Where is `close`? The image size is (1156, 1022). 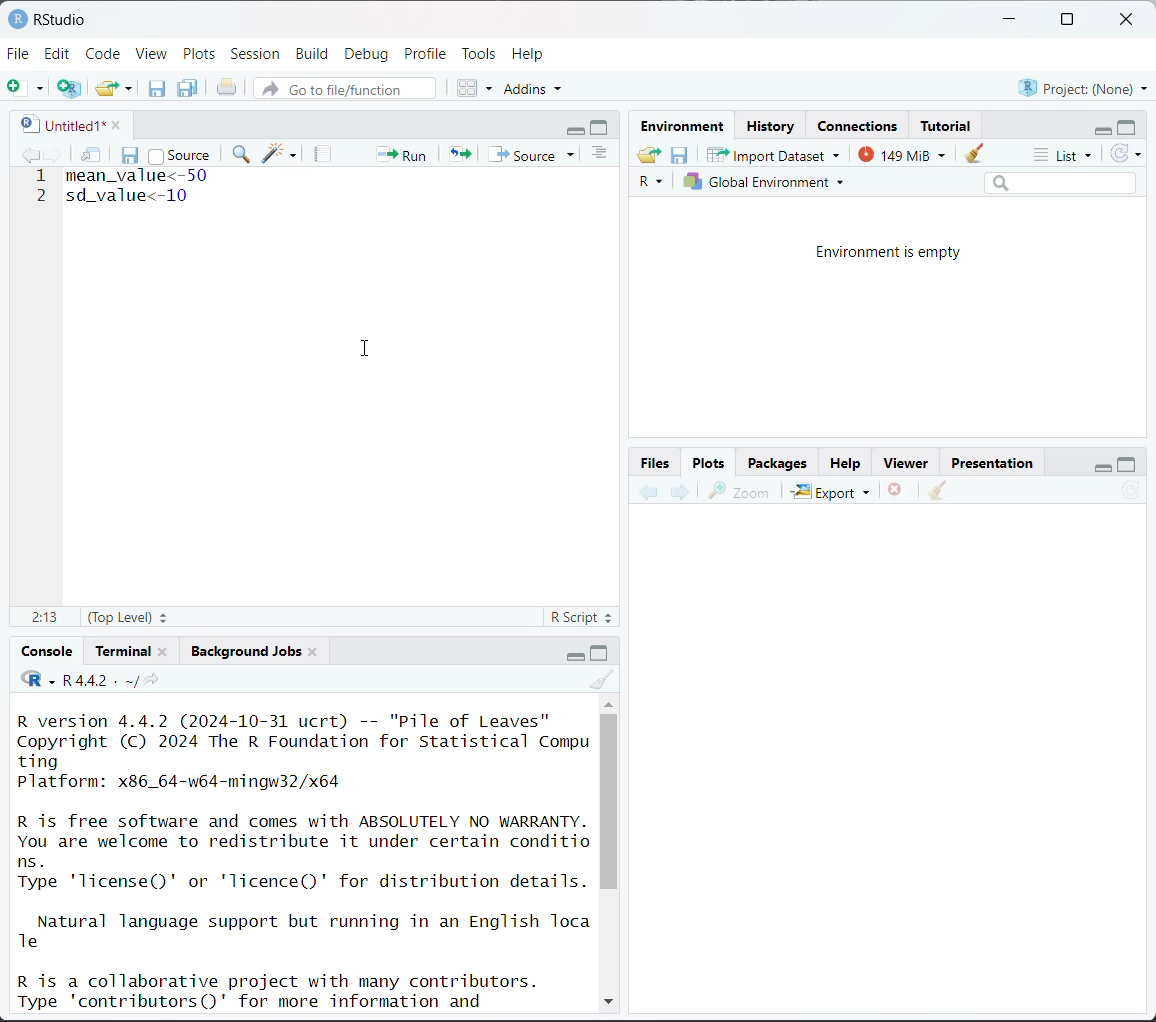
close is located at coordinates (111, 123).